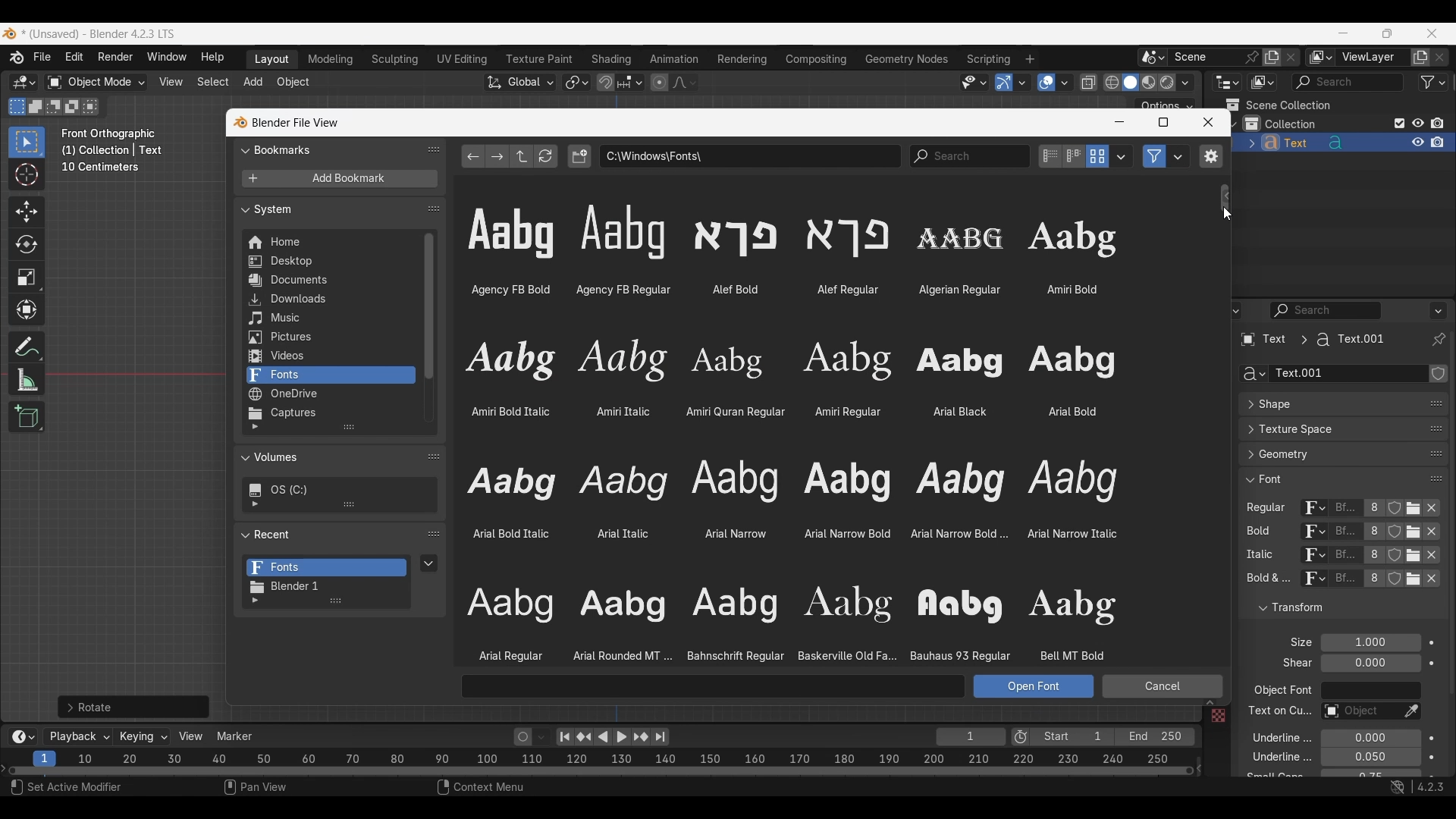 The image size is (1456, 819). Describe the element at coordinates (271, 60) in the screenshot. I see `Layout workspace, current selection` at that location.